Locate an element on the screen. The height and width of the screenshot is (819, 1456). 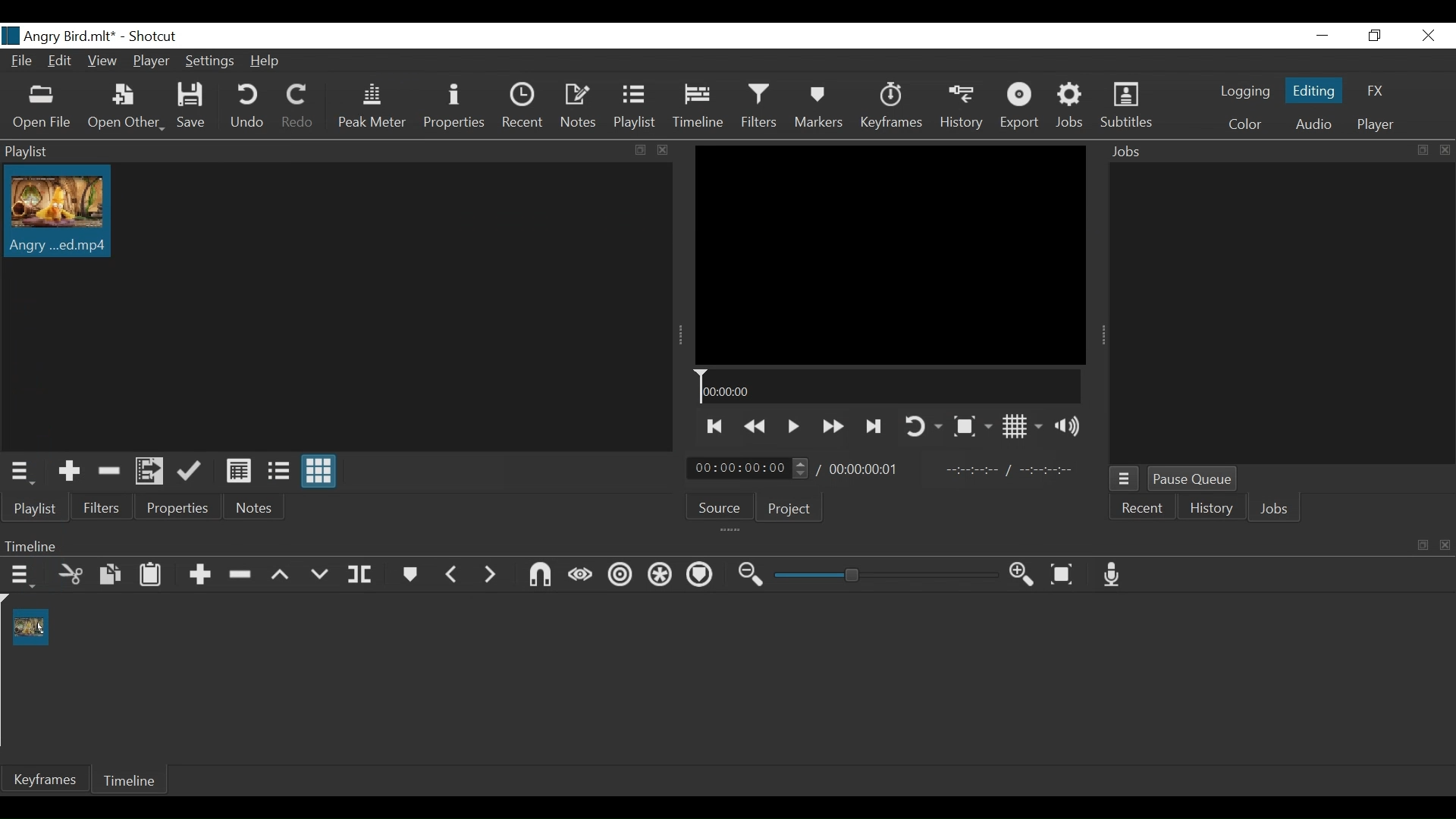
Scrub while dragging is located at coordinates (581, 576).